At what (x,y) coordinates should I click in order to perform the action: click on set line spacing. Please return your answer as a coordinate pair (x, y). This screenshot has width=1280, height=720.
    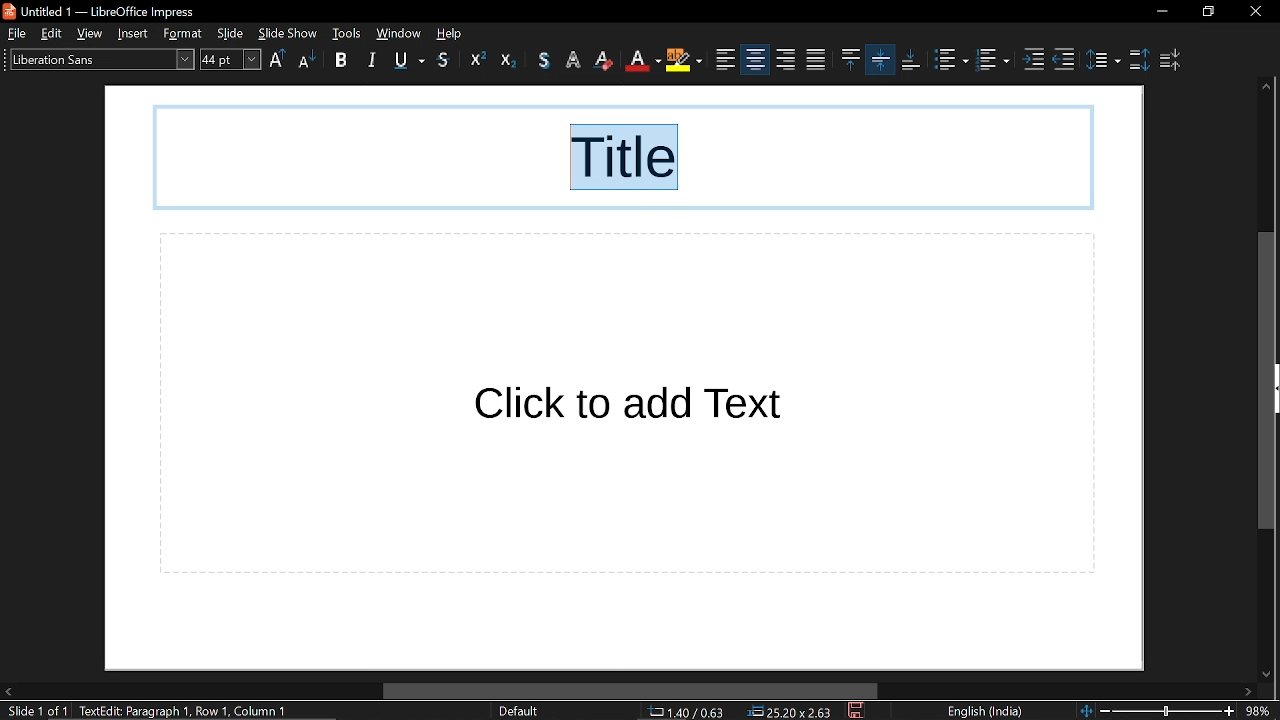
    Looking at the image, I should click on (1103, 58).